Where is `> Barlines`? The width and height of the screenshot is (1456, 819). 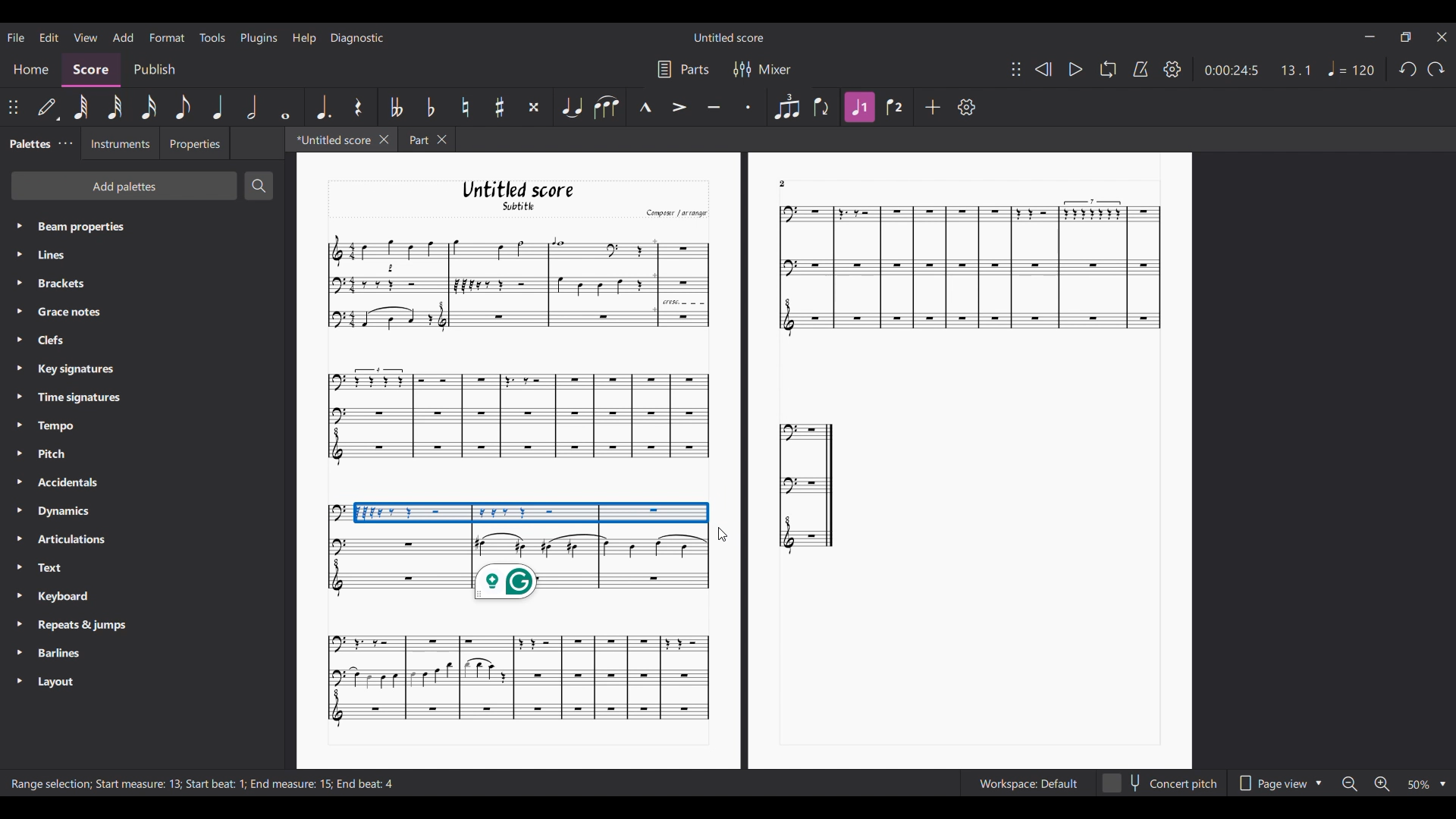 > Barlines is located at coordinates (57, 654).